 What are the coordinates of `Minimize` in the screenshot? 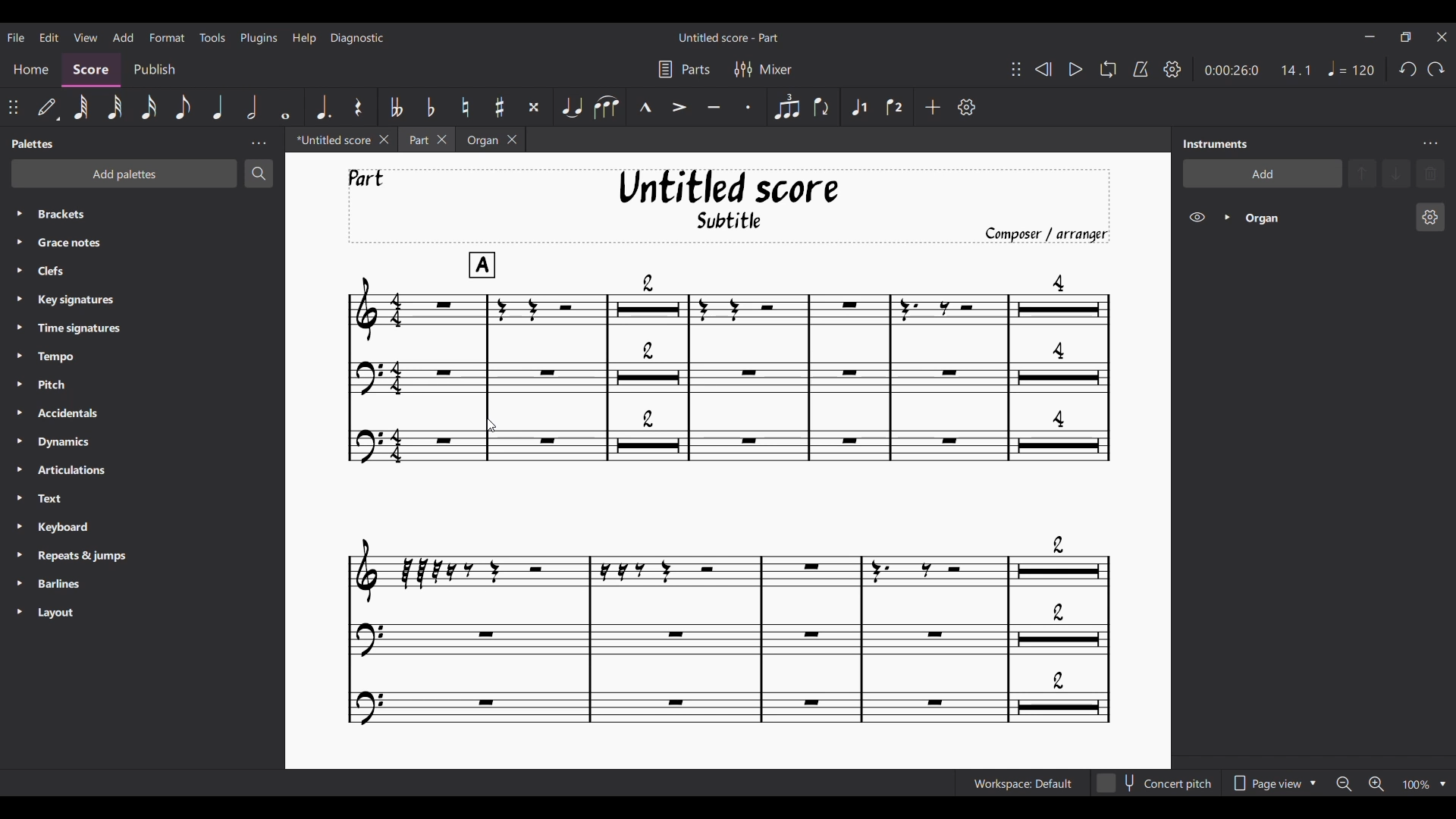 It's located at (1370, 36).